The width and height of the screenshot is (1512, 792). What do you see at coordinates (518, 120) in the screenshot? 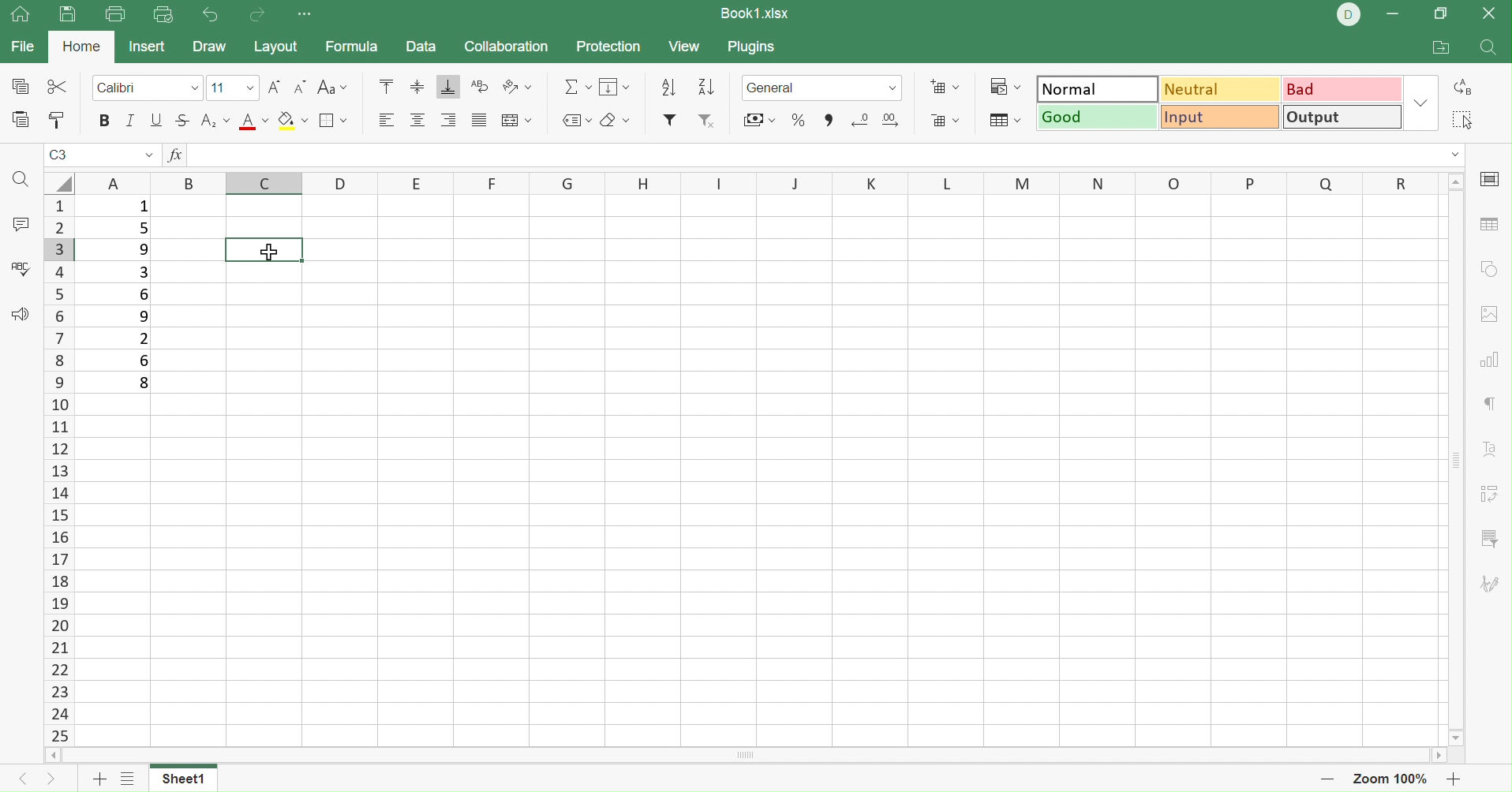
I see `Merge and ceter` at bounding box center [518, 120].